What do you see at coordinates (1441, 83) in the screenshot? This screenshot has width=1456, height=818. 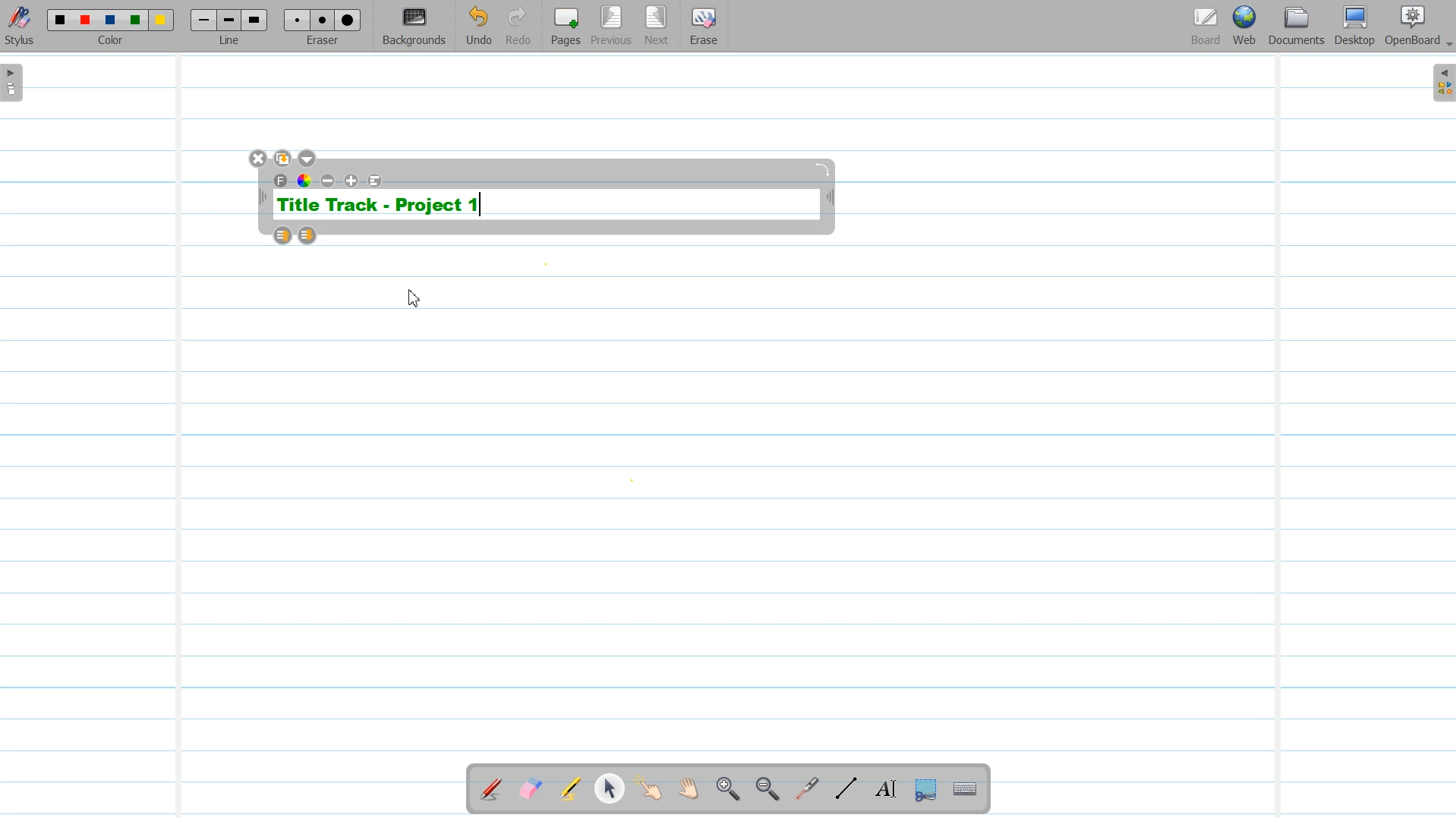 I see `Sidebar ` at bounding box center [1441, 83].